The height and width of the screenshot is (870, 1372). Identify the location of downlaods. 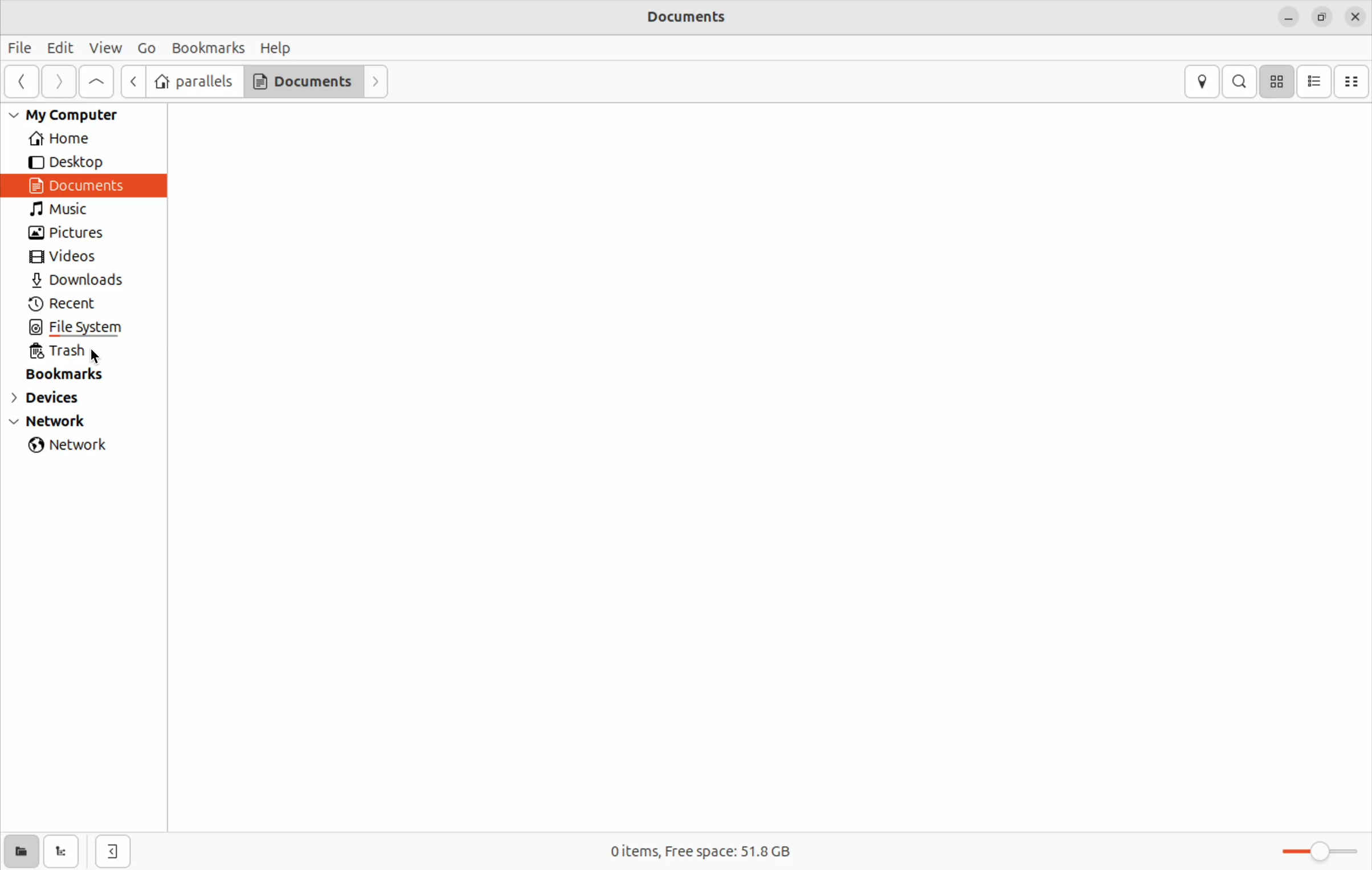
(84, 281).